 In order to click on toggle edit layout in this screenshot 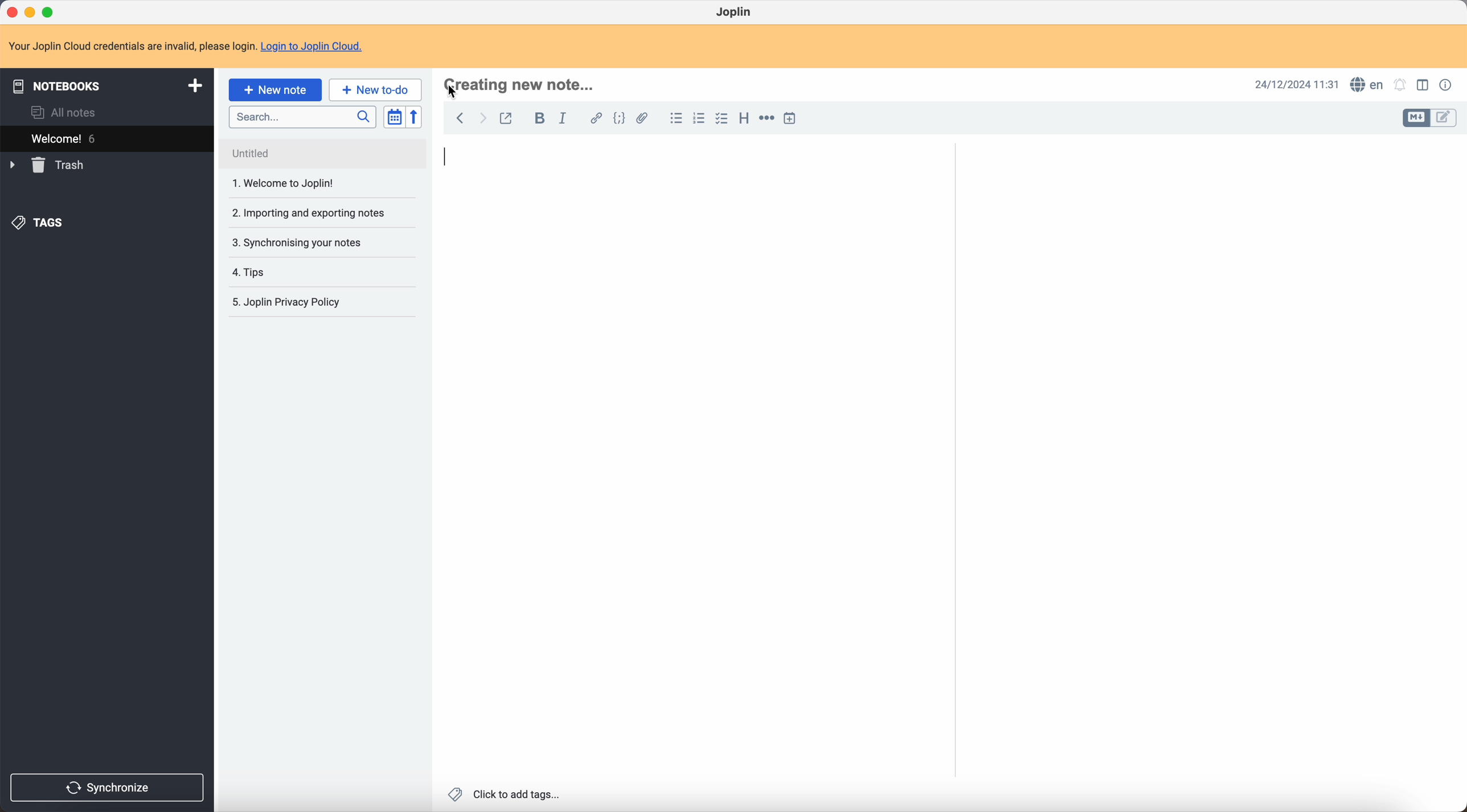, I will do `click(1417, 118)`.